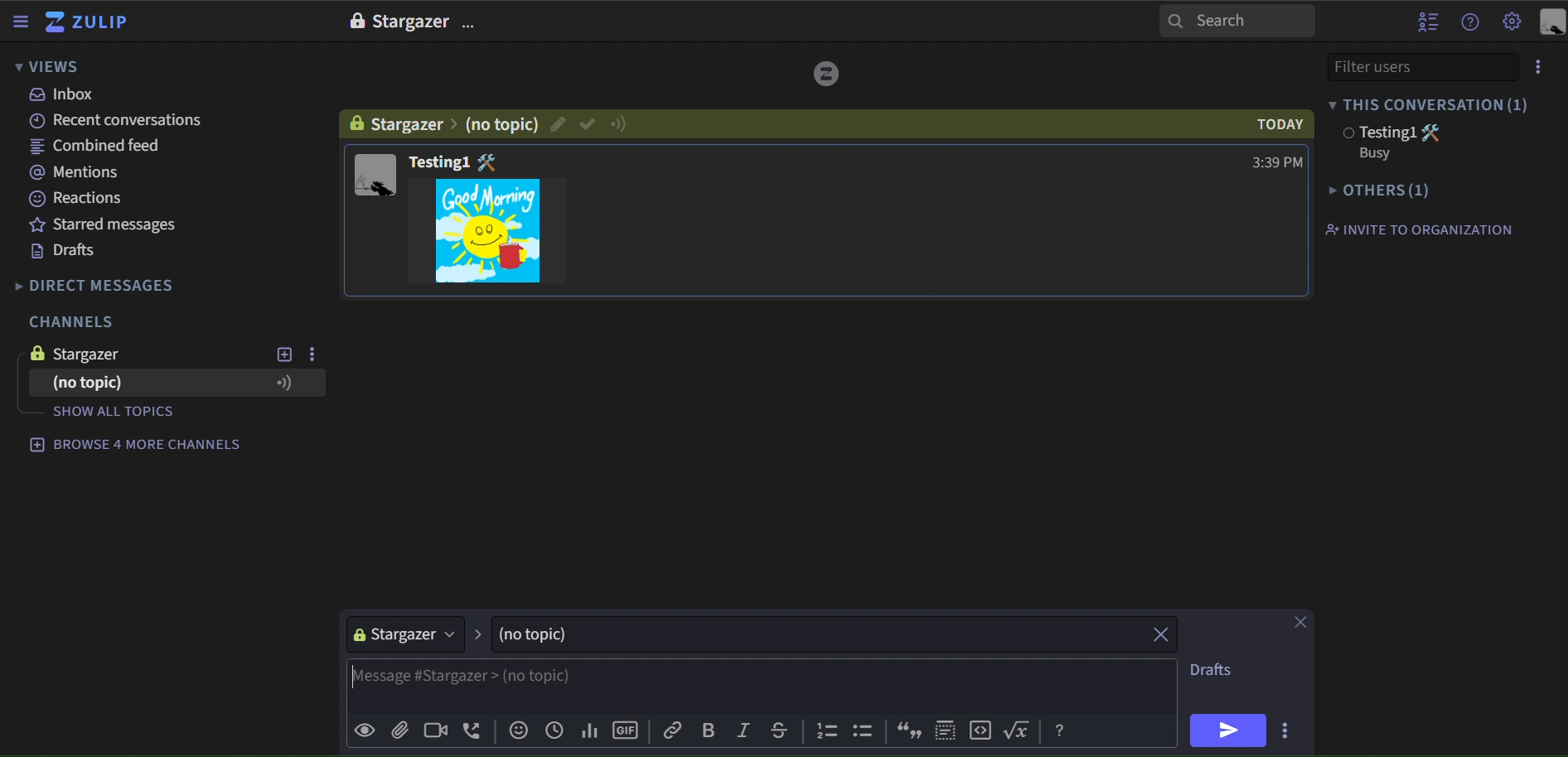 The width and height of the screenshot is (1568, 757). I want to click on drafts, so click(1216, 673).